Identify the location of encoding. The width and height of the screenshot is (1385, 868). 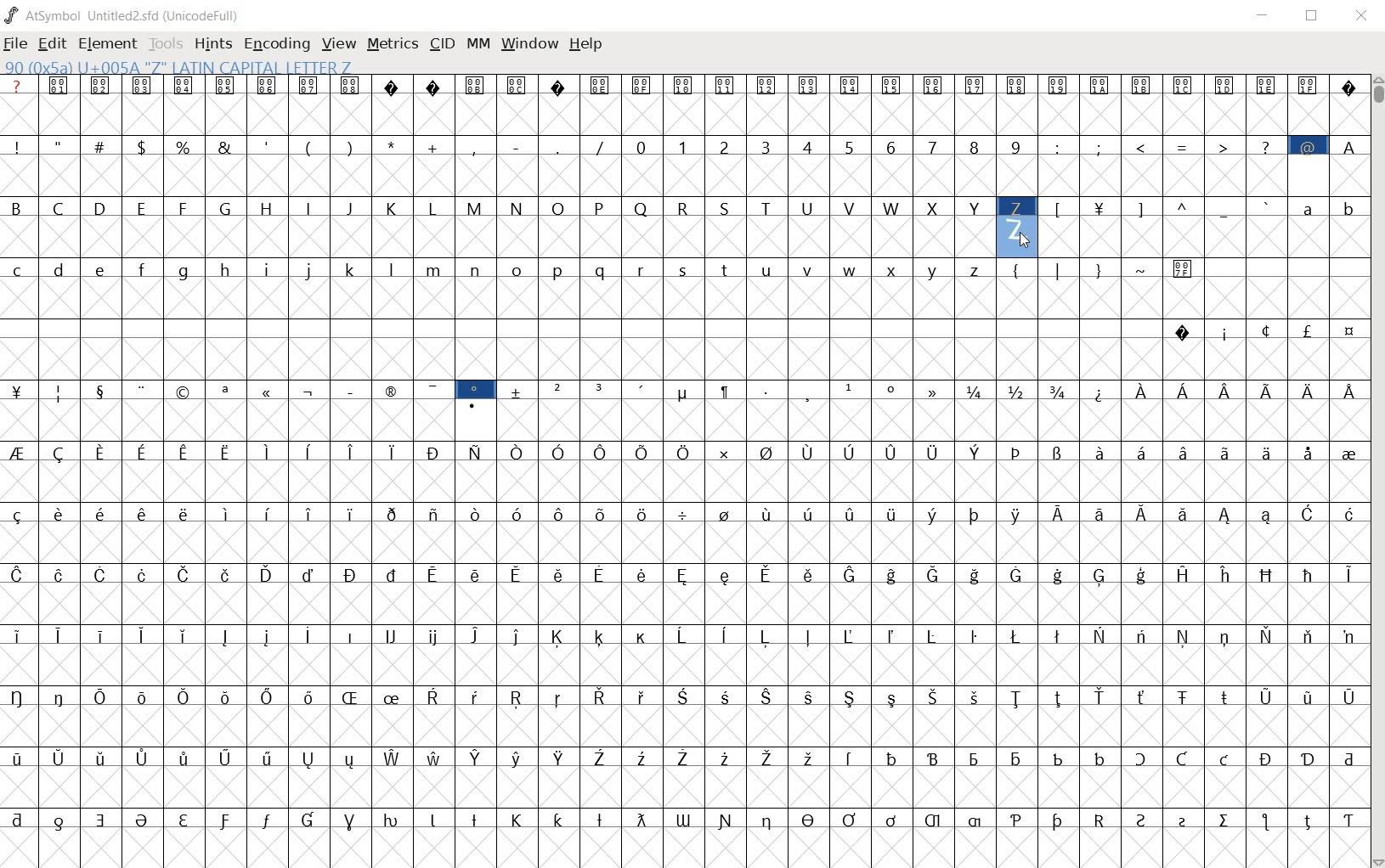
(275, 44).